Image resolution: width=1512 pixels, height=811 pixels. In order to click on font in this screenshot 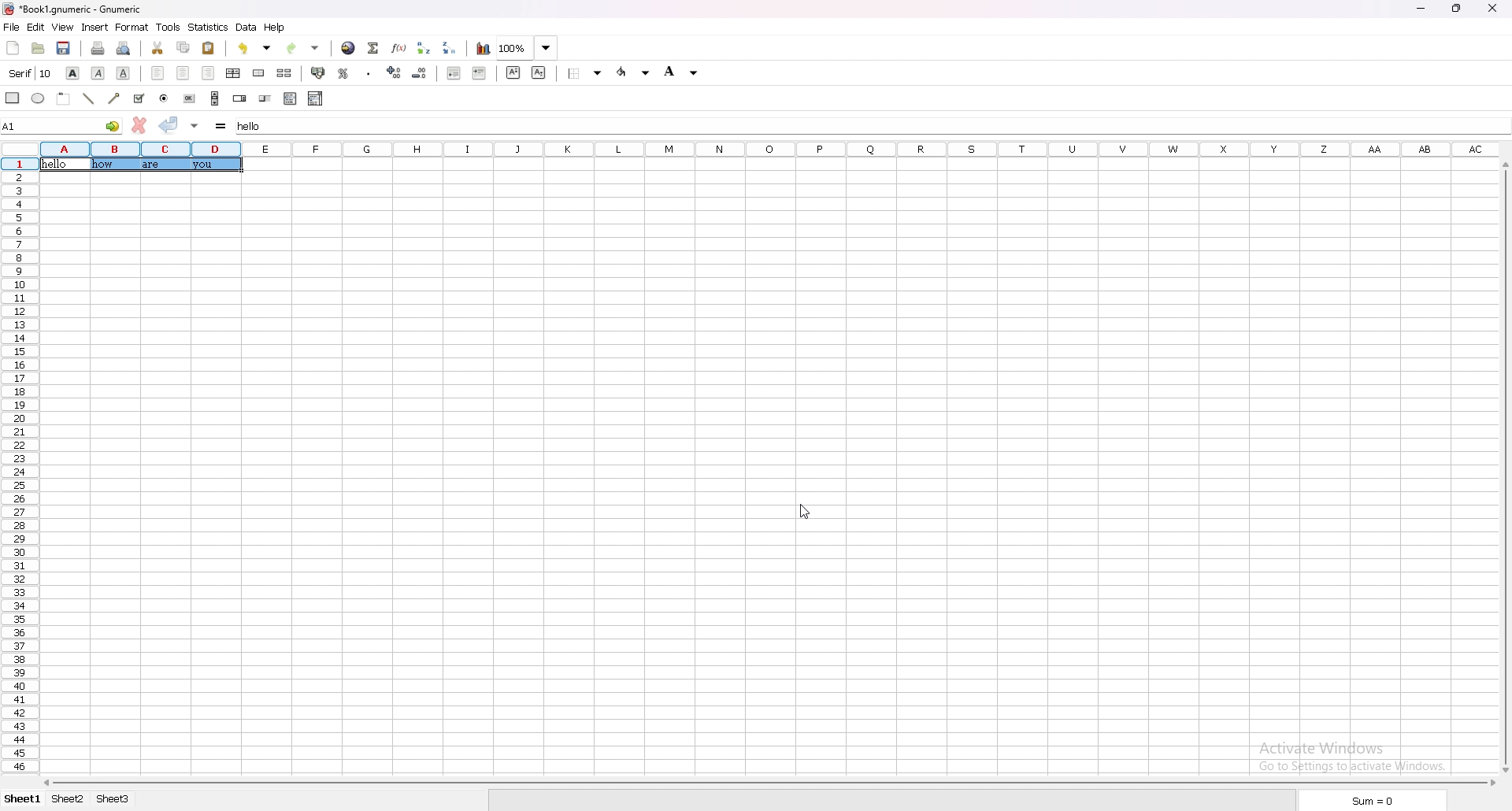, I will do `click(31, 73)`.